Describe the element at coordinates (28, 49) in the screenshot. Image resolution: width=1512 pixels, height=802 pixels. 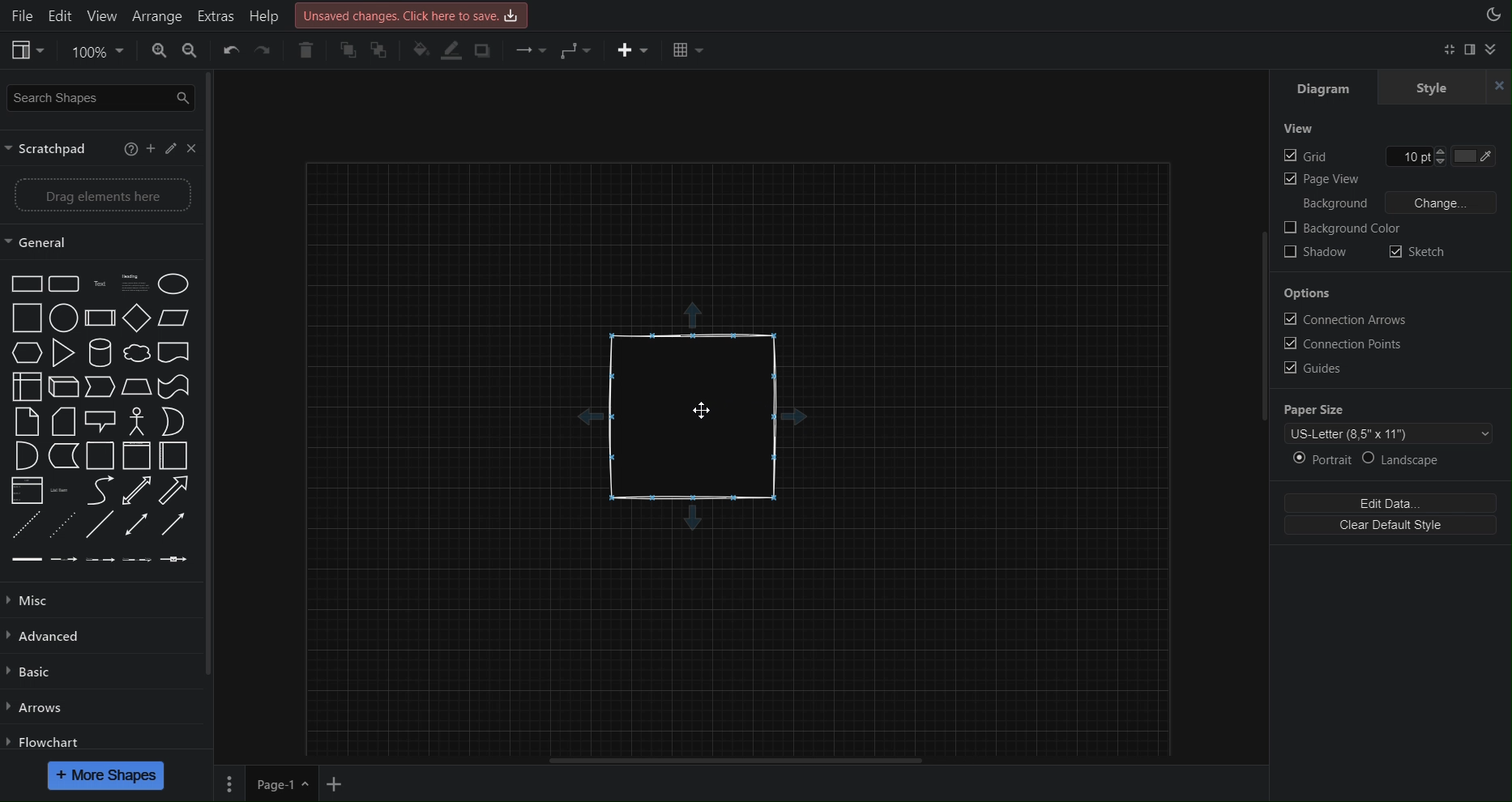
I see `View` at that location.